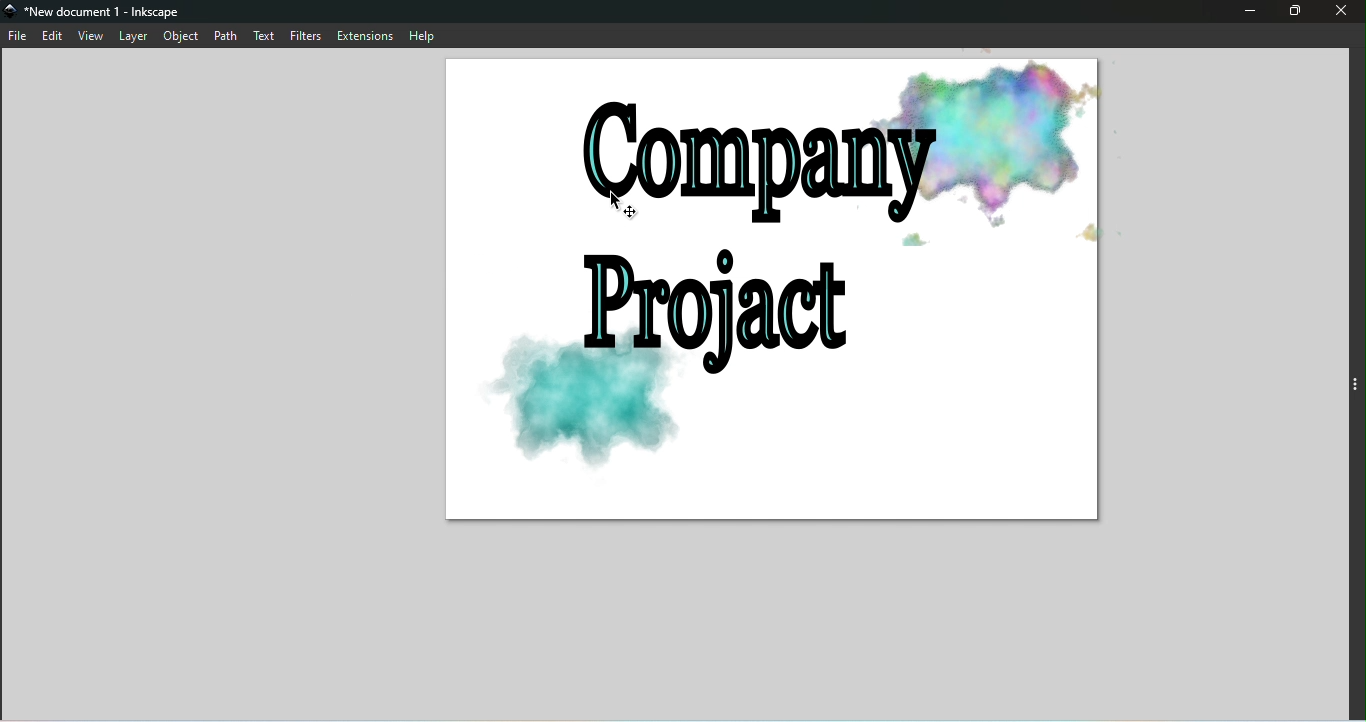  Describe the element at coordinates (53, 36) in the screenshot. I see `Edit` at that location.